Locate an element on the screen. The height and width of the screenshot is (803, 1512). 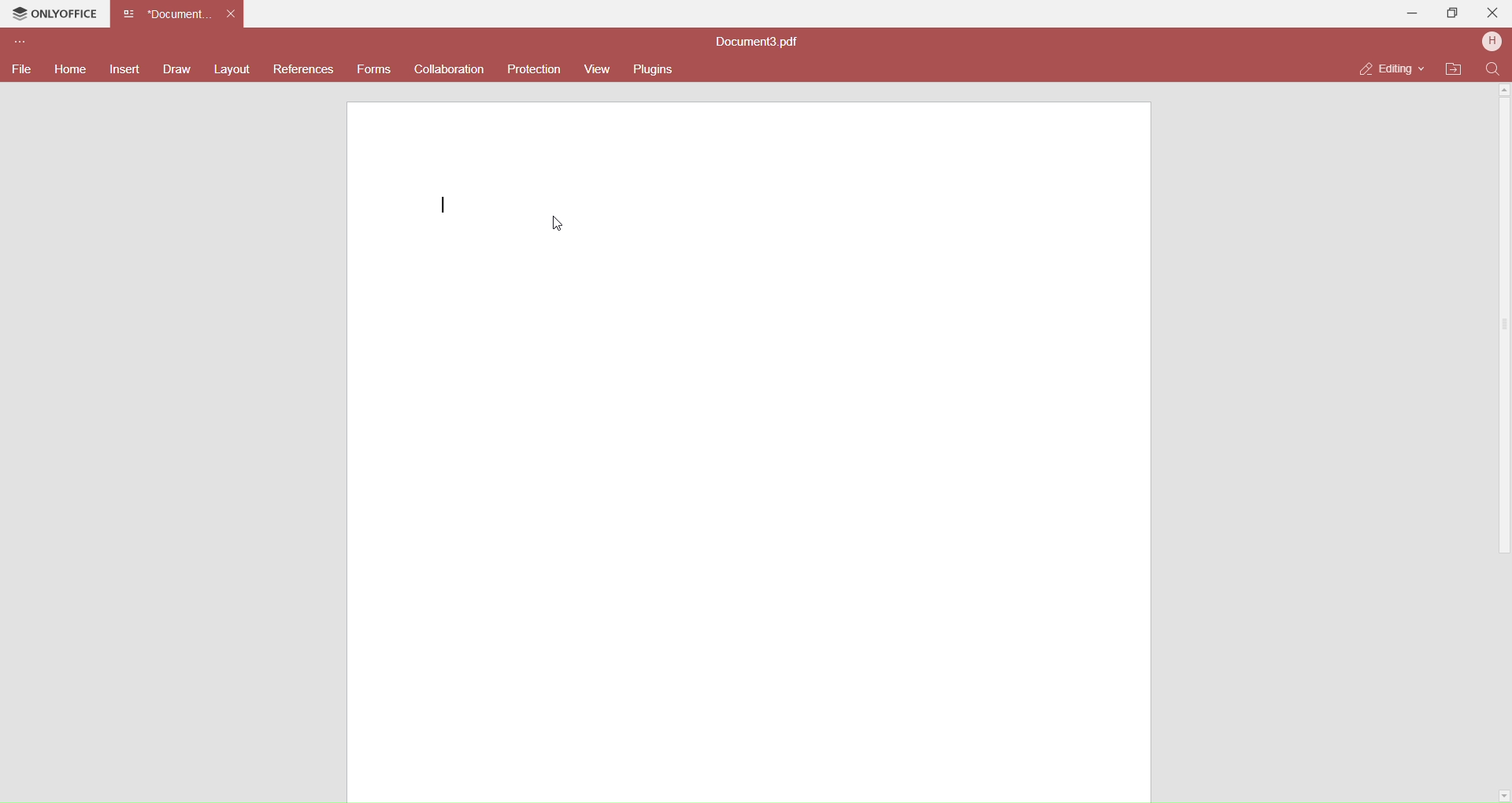
writing cursor is located at coordinates (443, 205).